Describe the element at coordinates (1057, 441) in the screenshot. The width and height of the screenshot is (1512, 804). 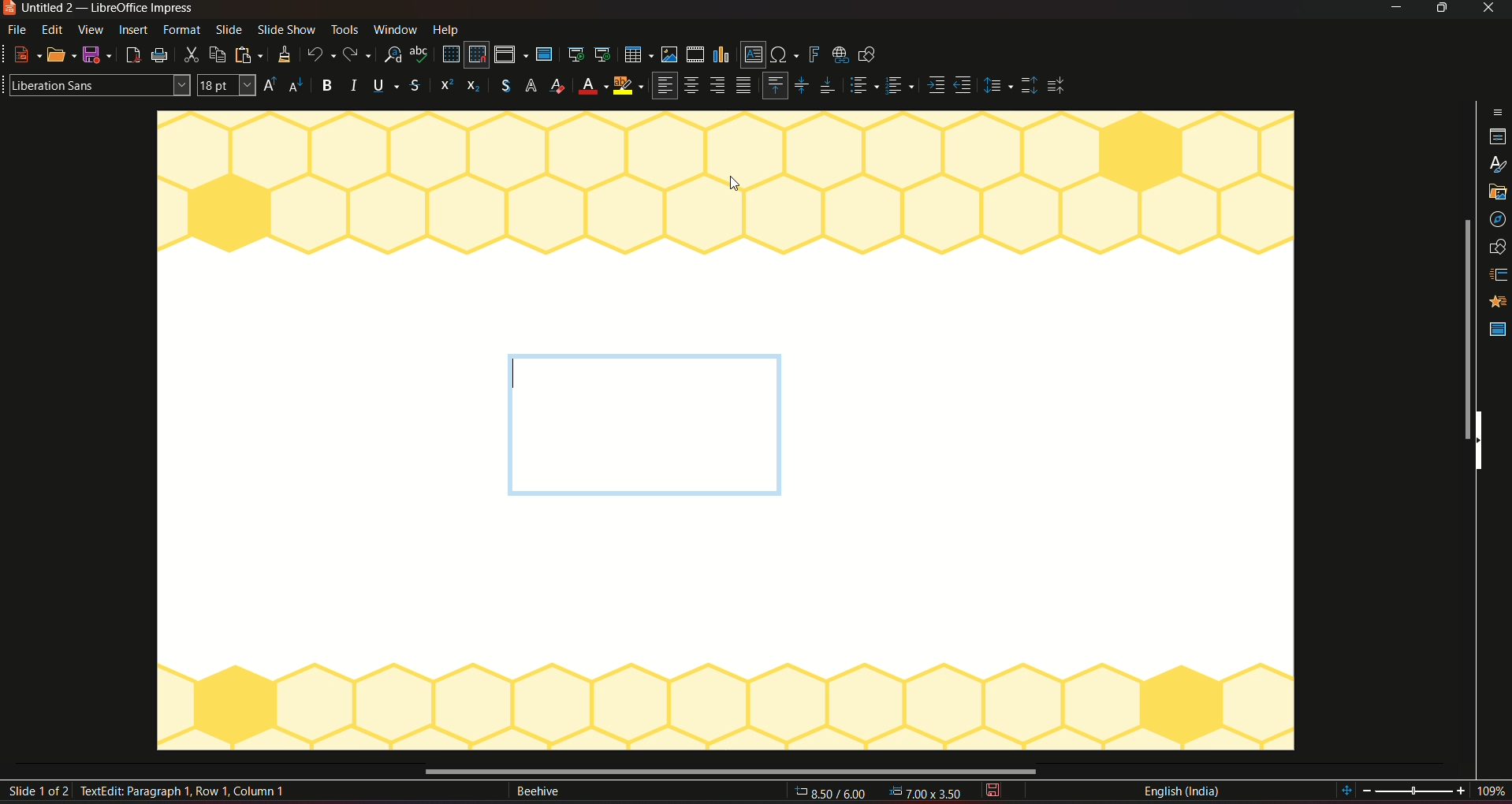
I see `workspace` at that location.